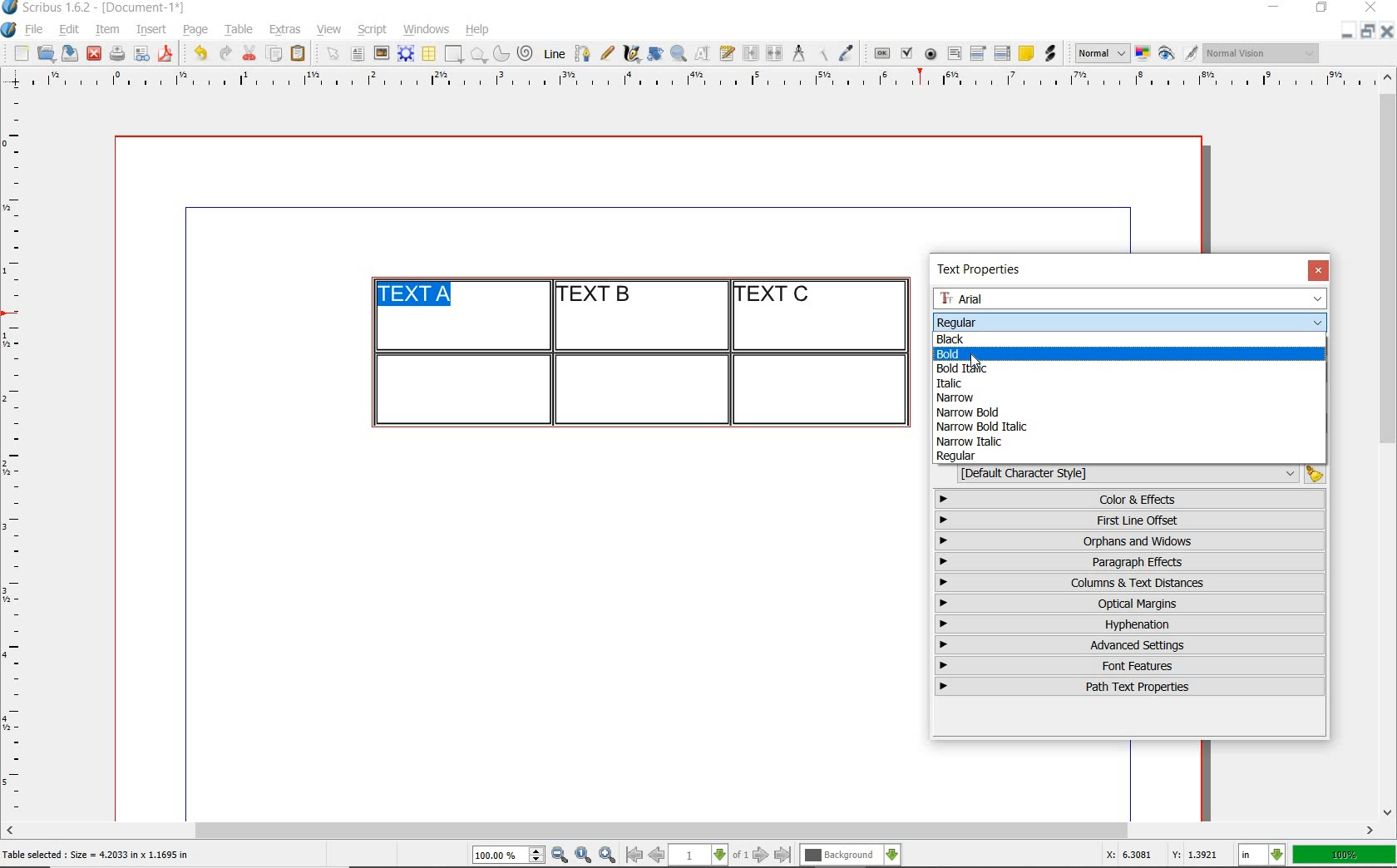  What do you see at coordinates (774, 54) in the screenshot?
I see `unlink text frames` at bounding box center [774, 54].